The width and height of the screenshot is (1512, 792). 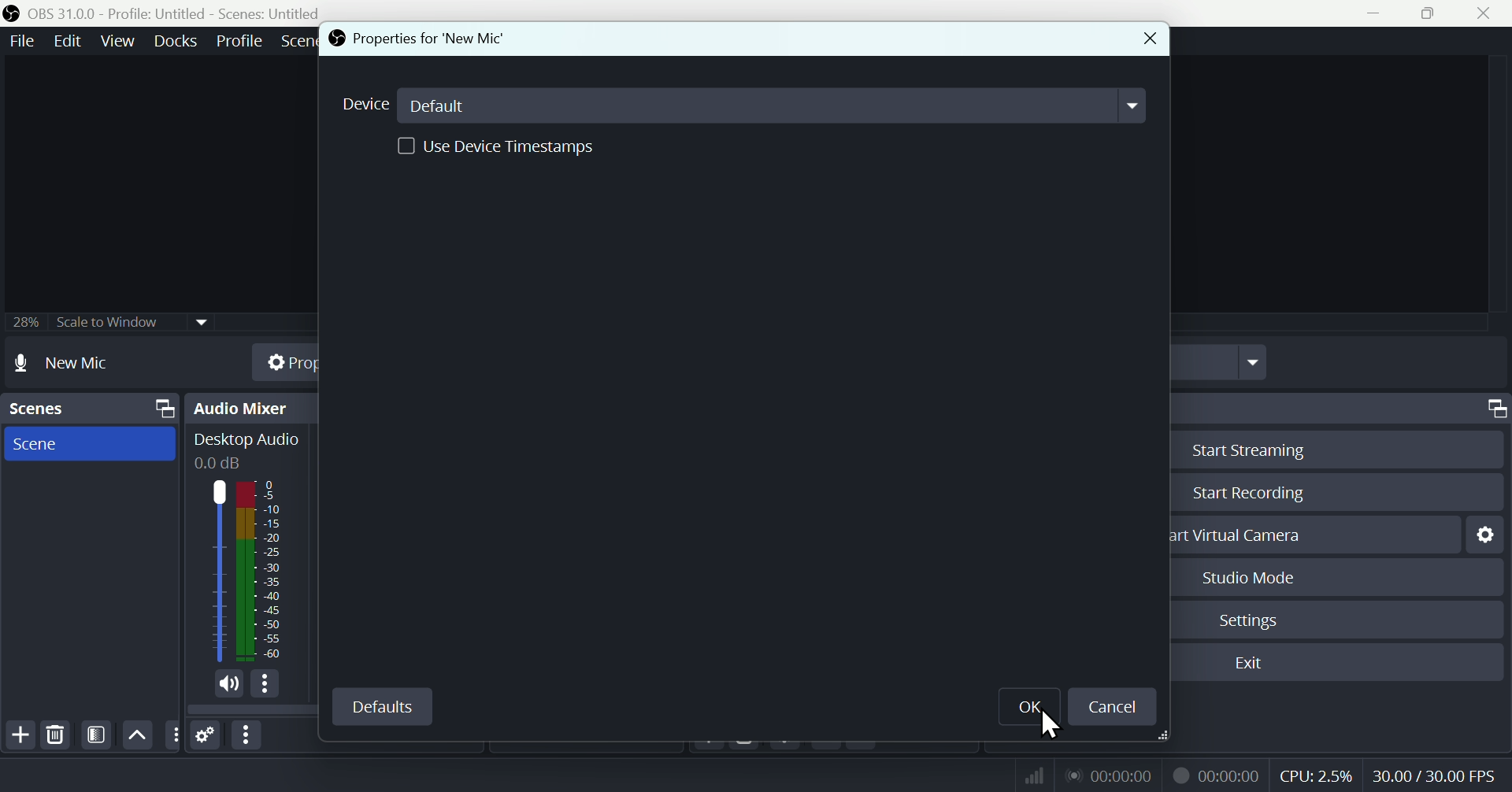 I want to click on Add, so click(x=19, y=735).